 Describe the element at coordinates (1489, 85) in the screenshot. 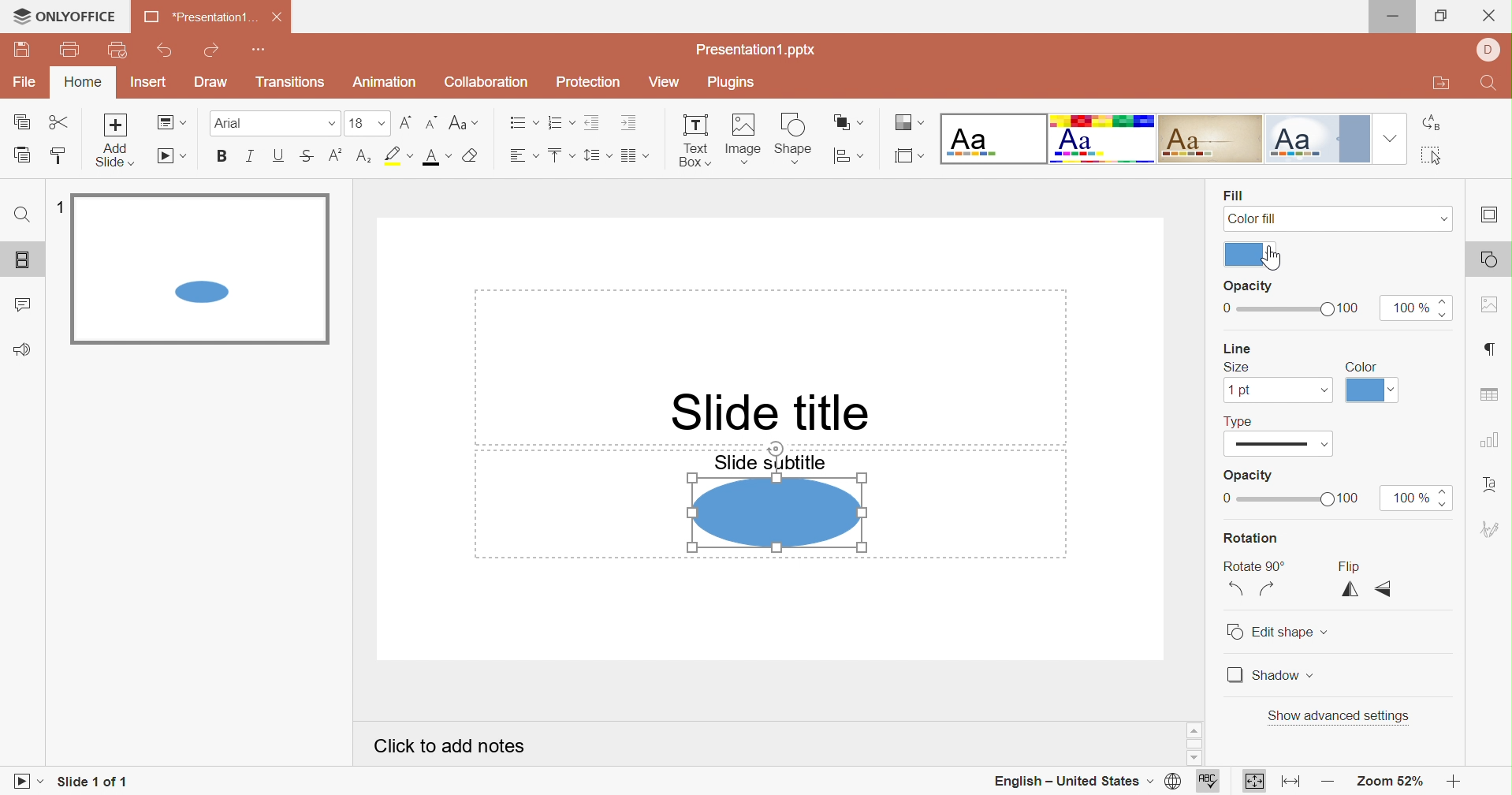

I see `Find` at that location.